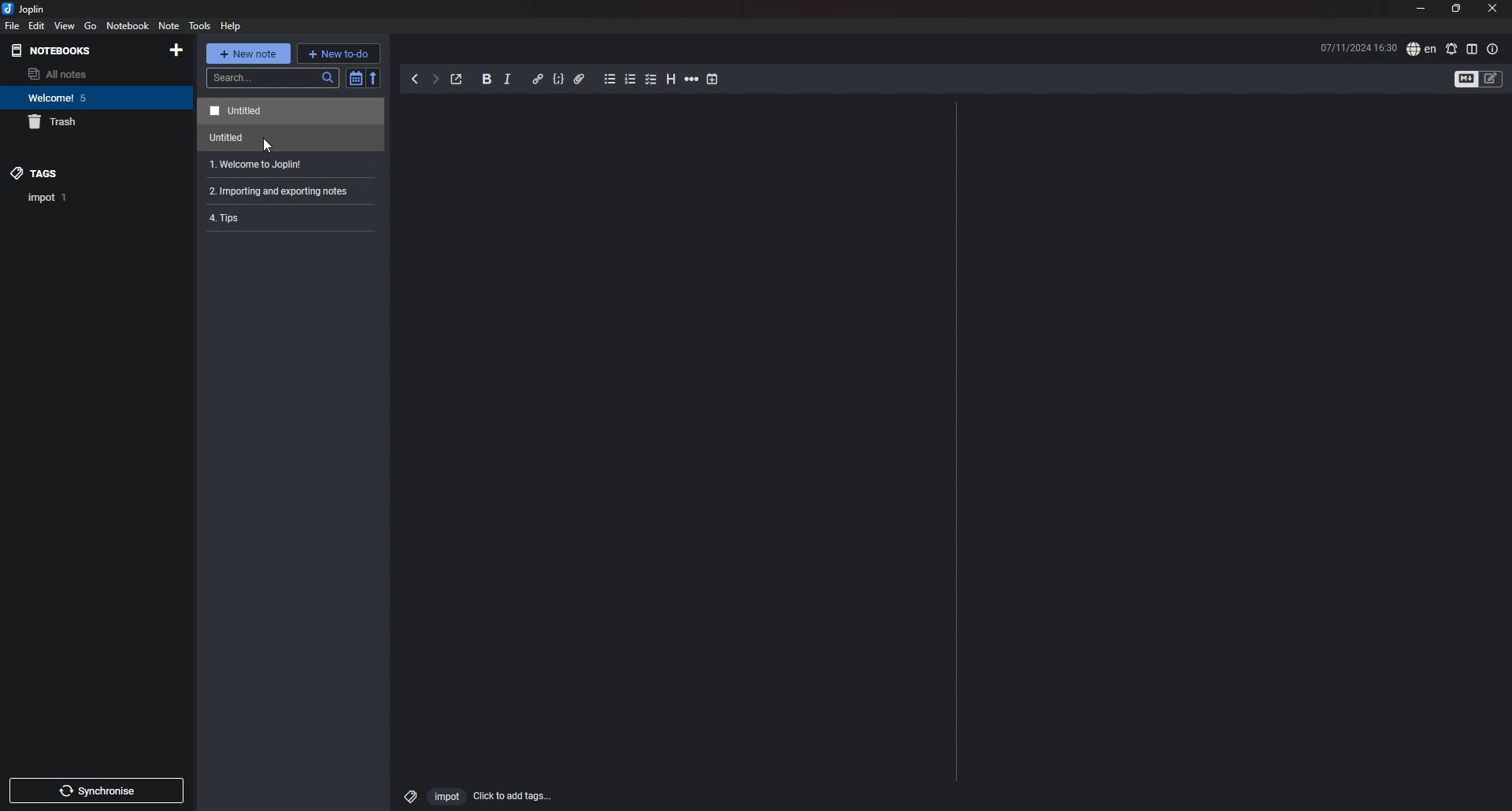  What do you see at coordinates (249, 53) in the screenshot?
I see `new note` at bounding box center [249, 53].